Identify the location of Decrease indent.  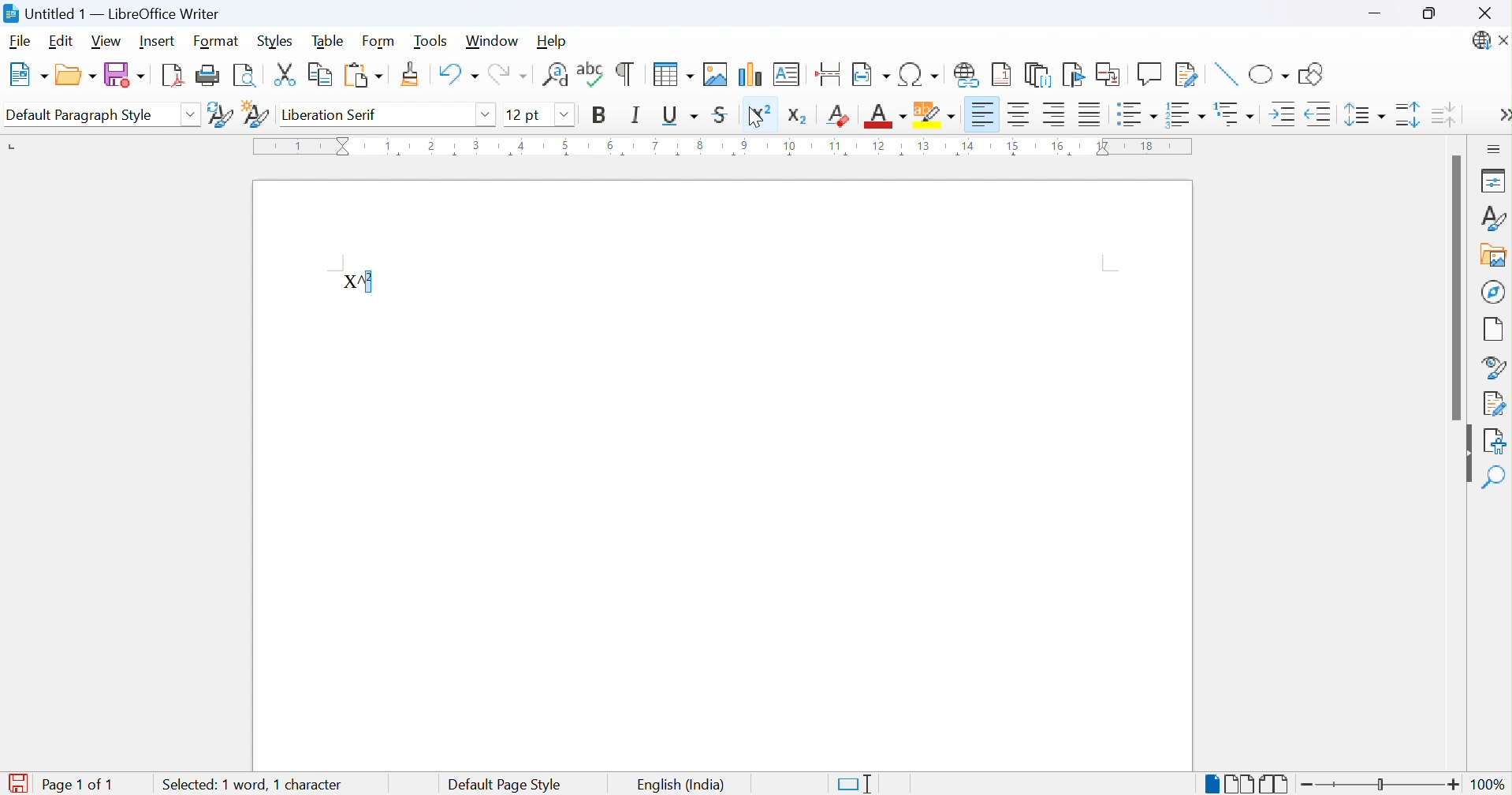
(1322, 115).